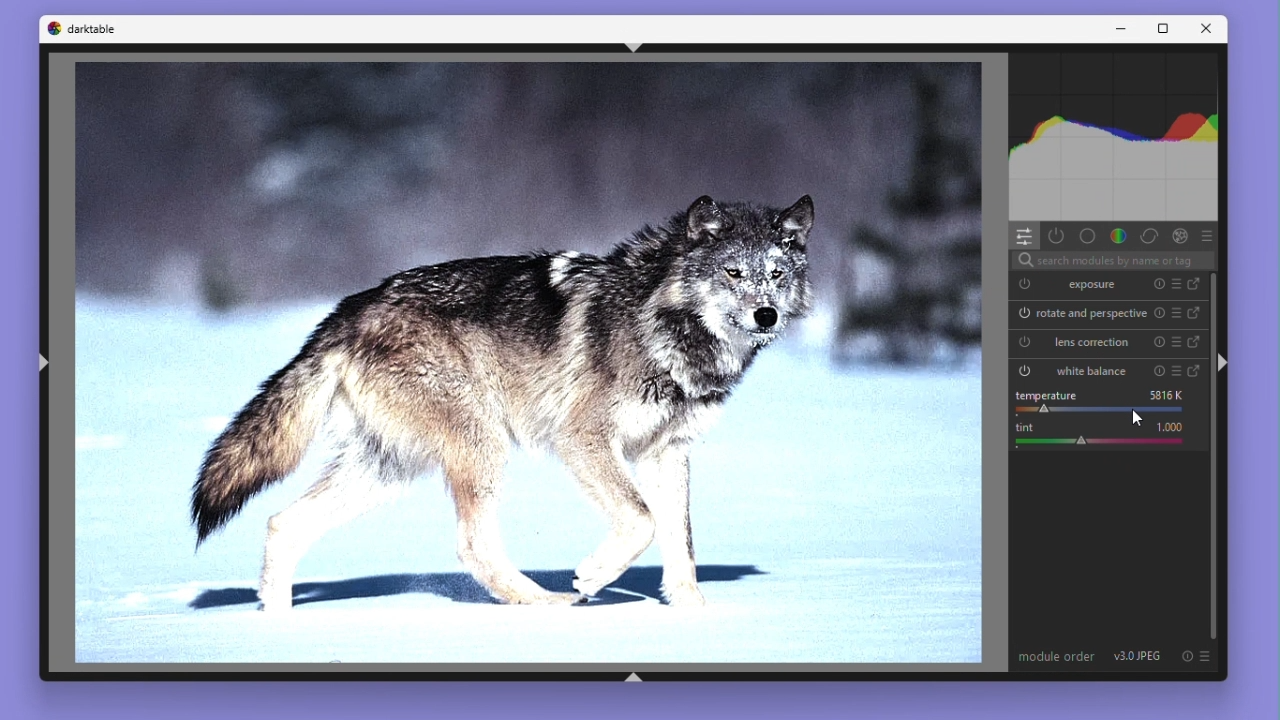 This screenshot has width=1280, height=720. What do you see at coordinates (1207, 657) in the screenshot?
I see `Preset` at bounding box center [1207, 657].